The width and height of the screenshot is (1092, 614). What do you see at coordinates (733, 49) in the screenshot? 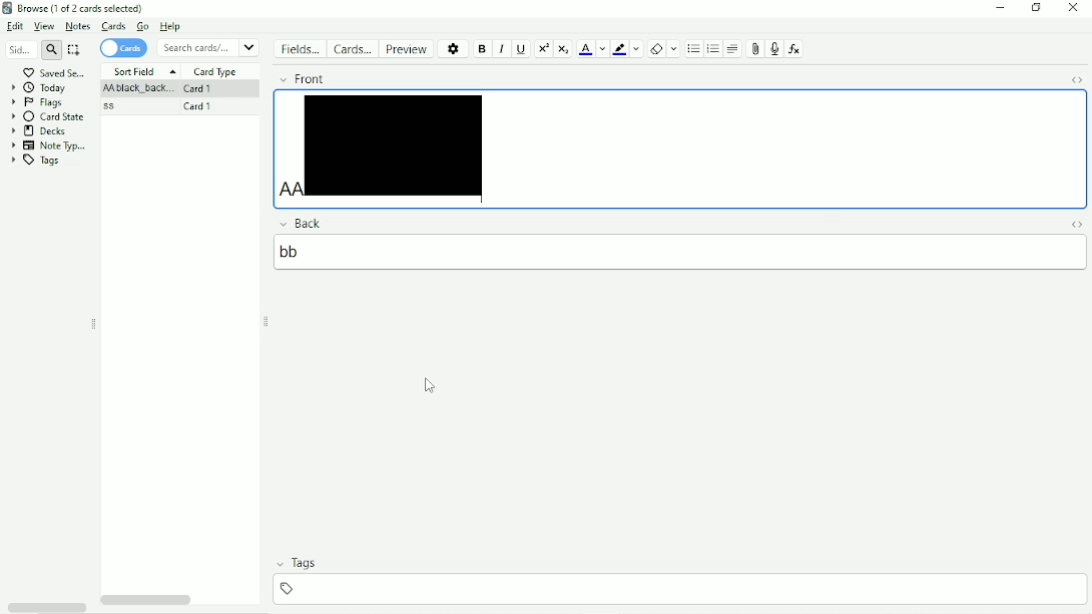
I see `Alignment` at bounding box center [733, 49].